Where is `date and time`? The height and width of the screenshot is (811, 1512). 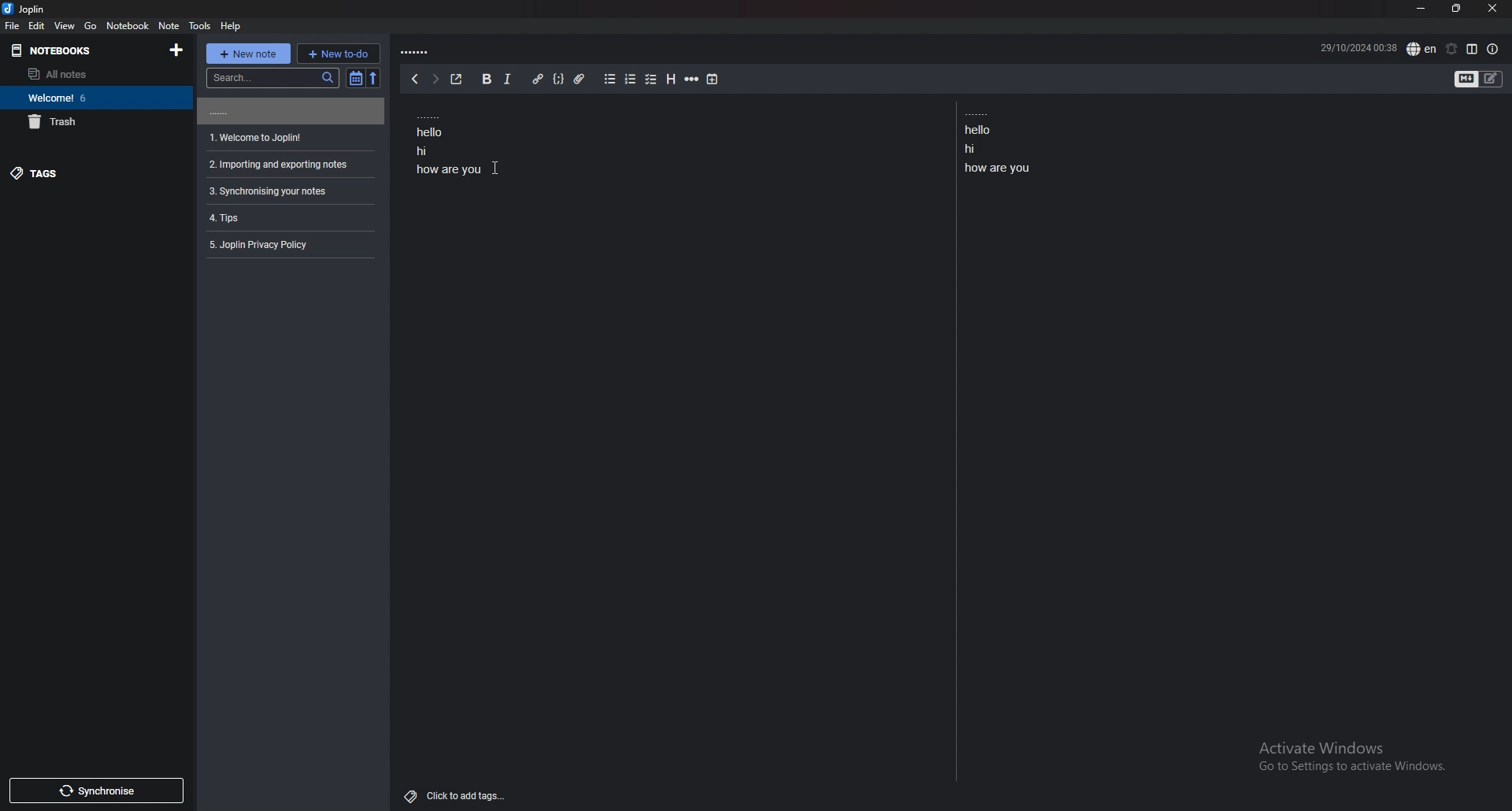 date and time is located at coordinates (1358, 46).